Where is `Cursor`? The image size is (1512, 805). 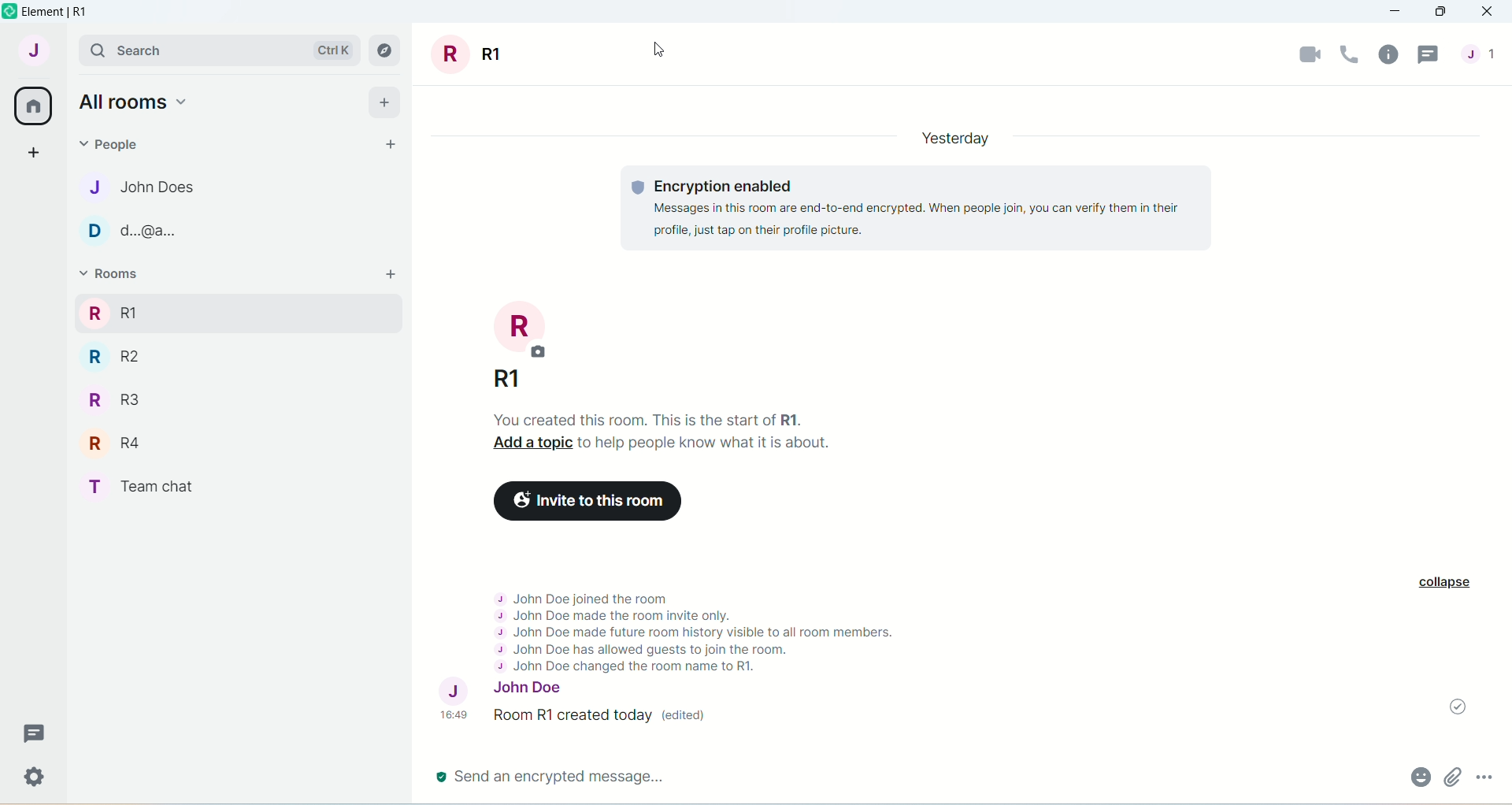 Cursor is located at coordinates (654, 48).